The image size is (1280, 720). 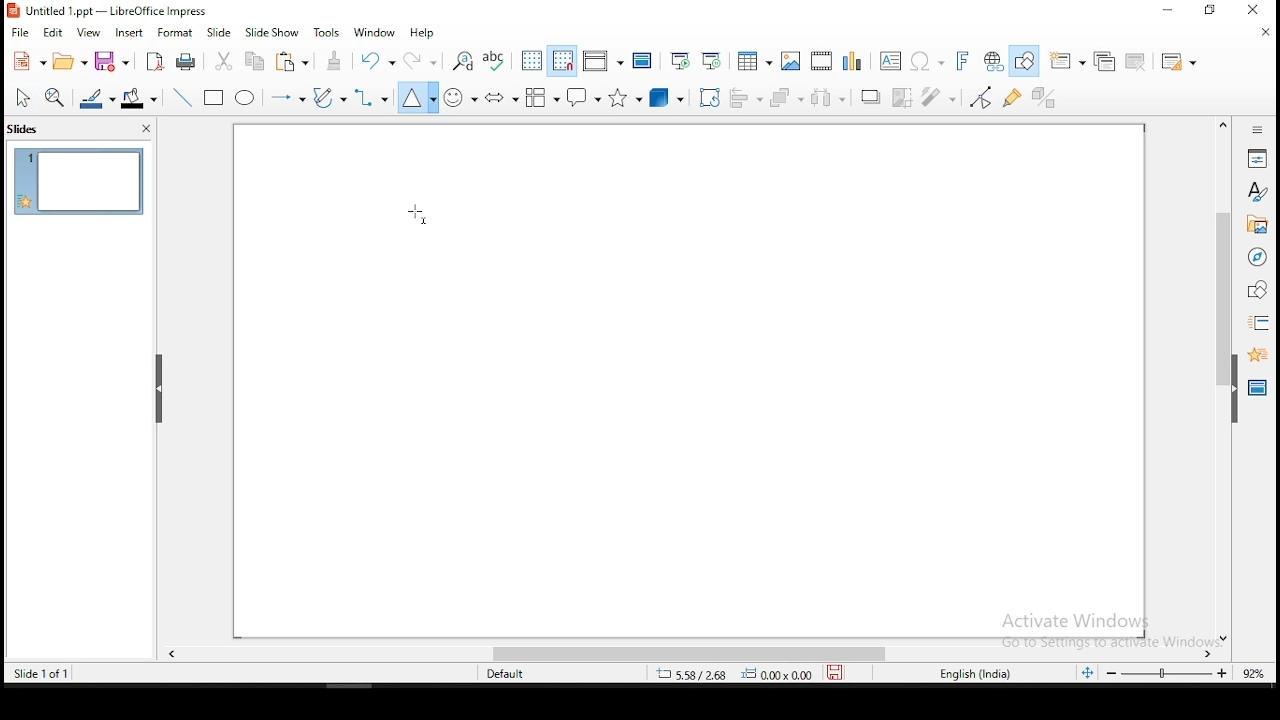 What do you see at coordinates (1262, 322) in the screenshot?
I see `slide transition` at bounding box center [1262, 322].